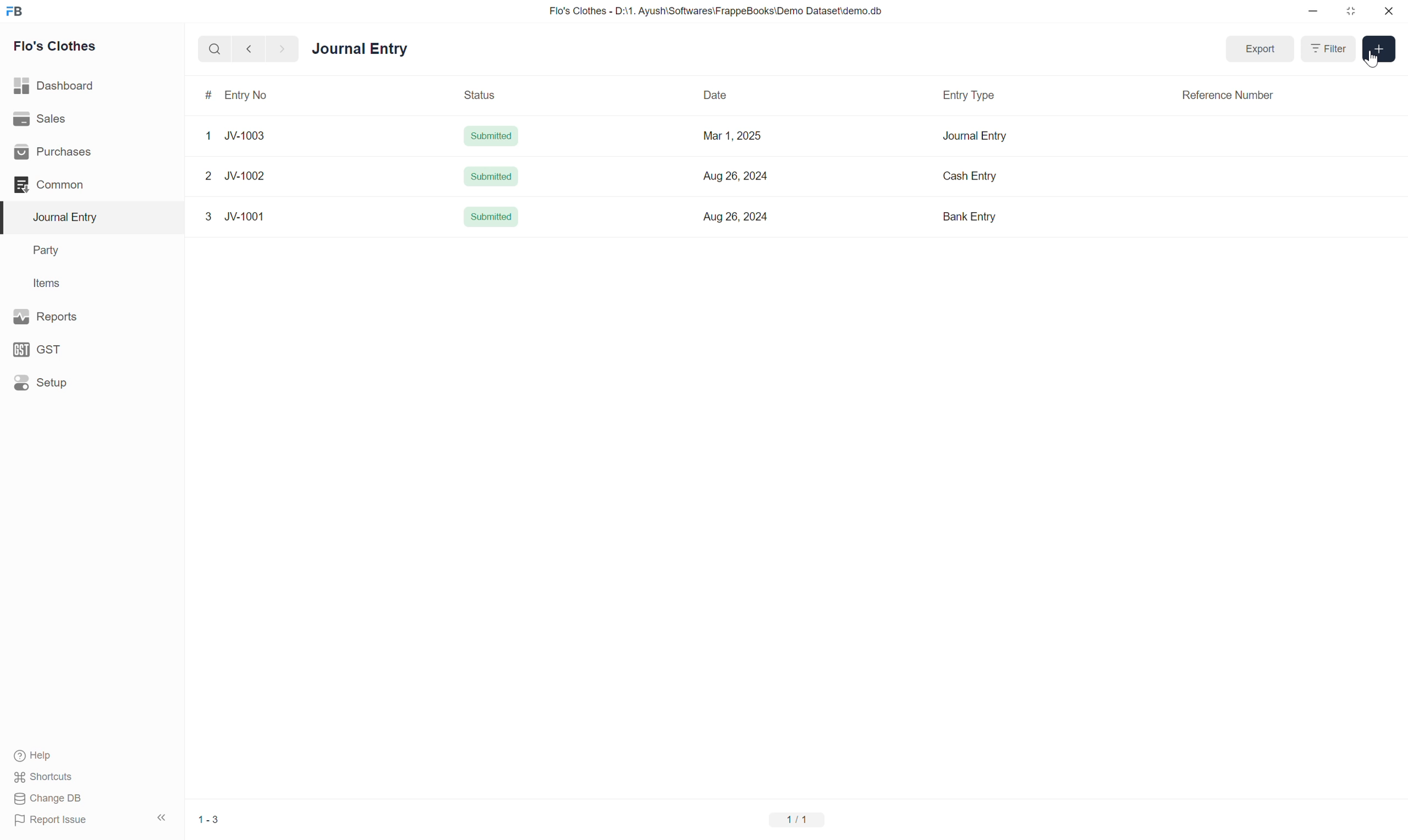 The height and width of the screenshot is (840, 1408). Describe the element at coordinates (39, 117) in the screenshot. I see `Sales` at that location.